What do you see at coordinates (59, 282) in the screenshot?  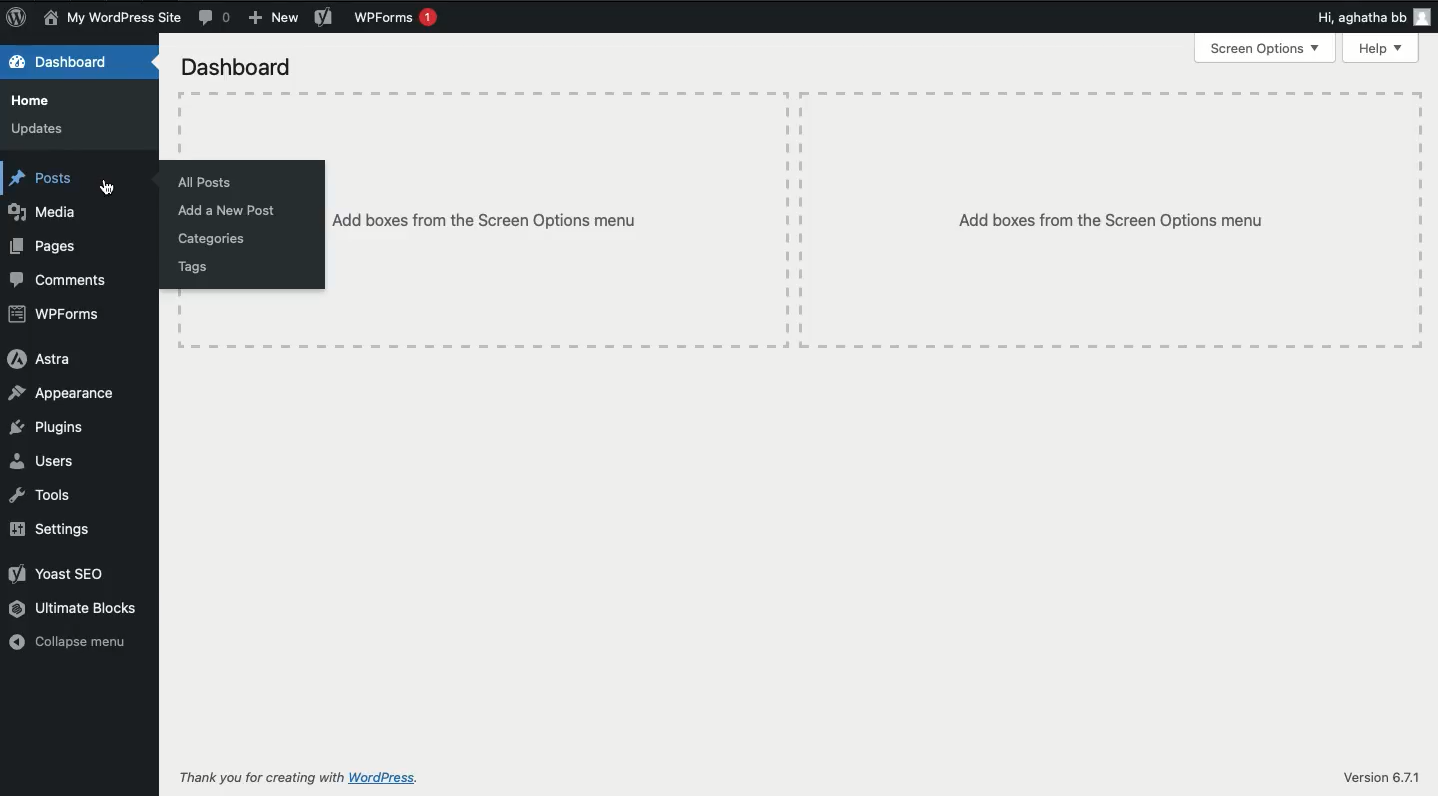 I see `Comments` at bounding box center [59, 282].